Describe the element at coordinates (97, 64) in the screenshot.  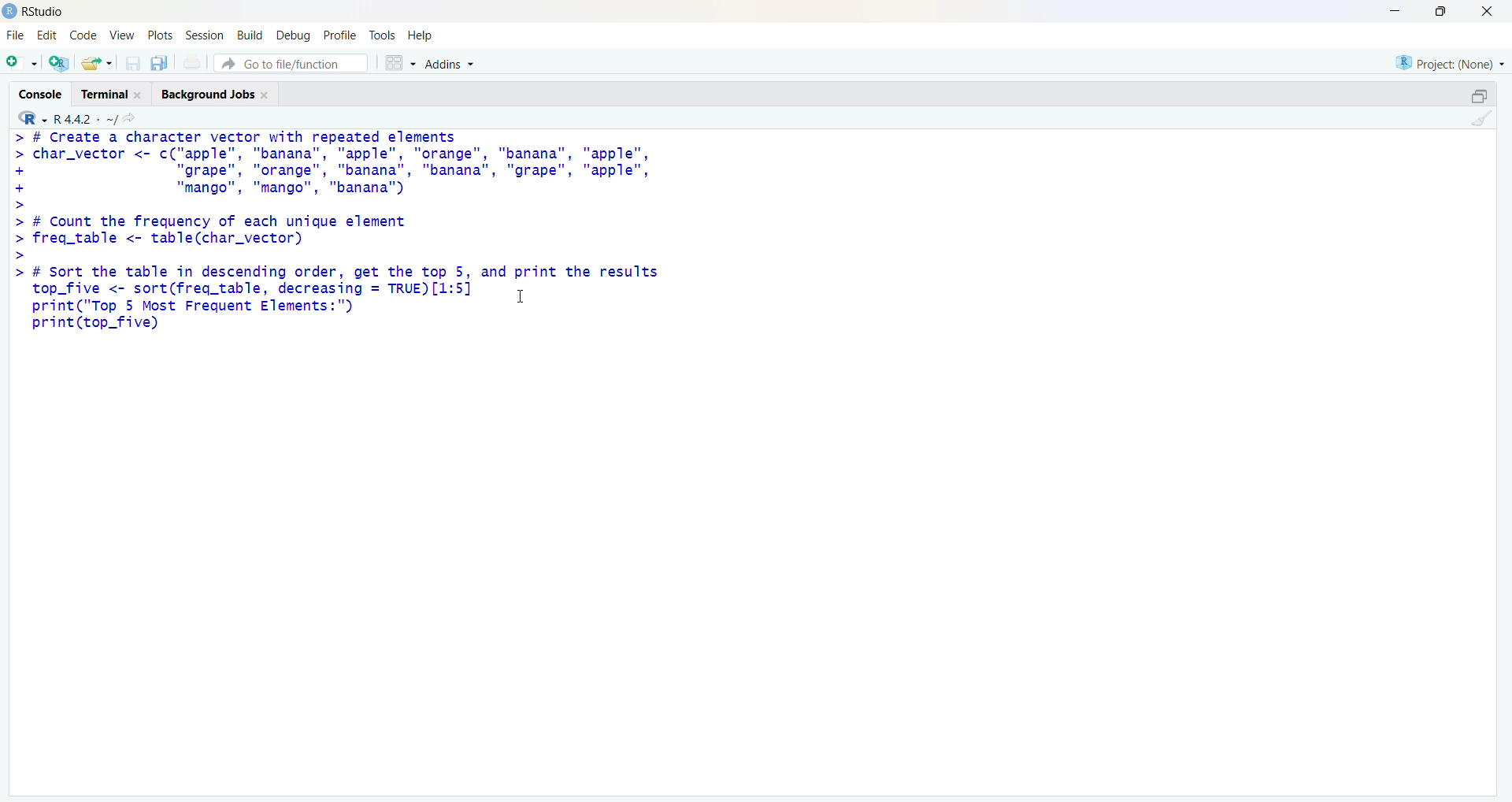
I see `Open an existing file (Ctrl + O)` at that location.